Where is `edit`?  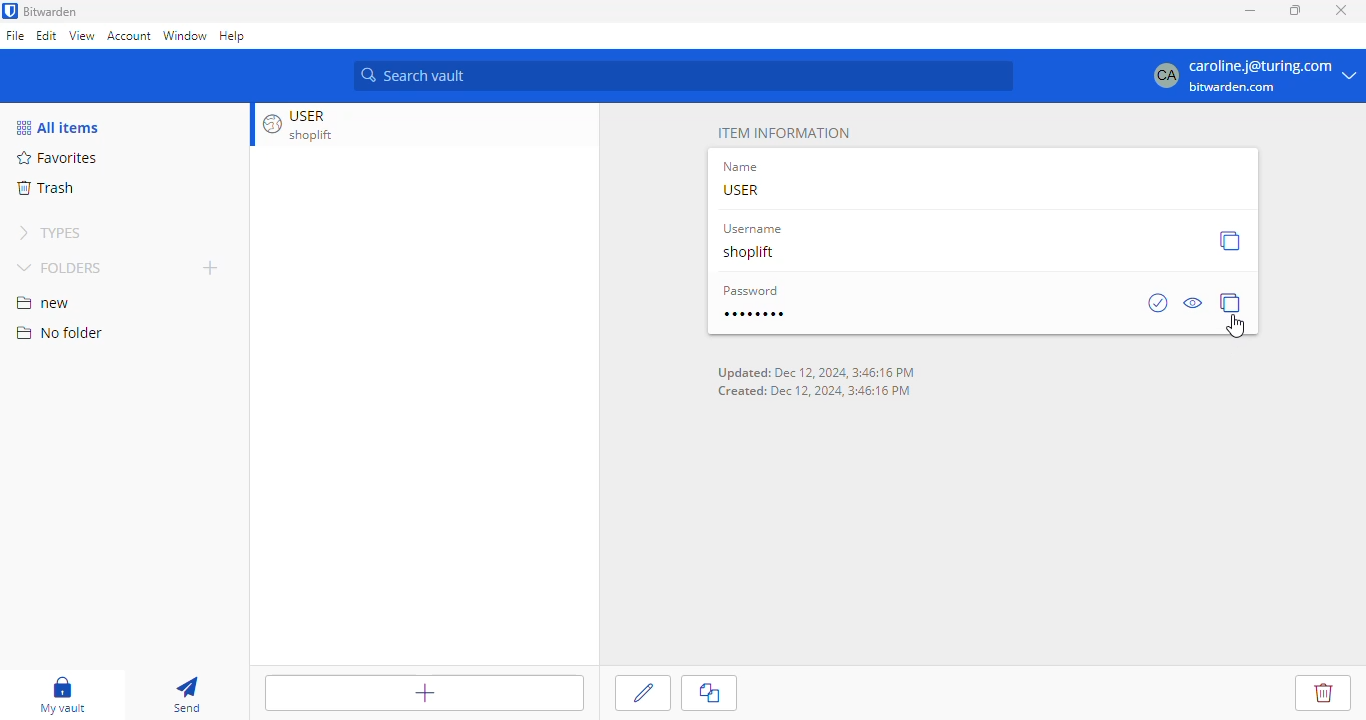 edit is located at coordinates (47, 35).